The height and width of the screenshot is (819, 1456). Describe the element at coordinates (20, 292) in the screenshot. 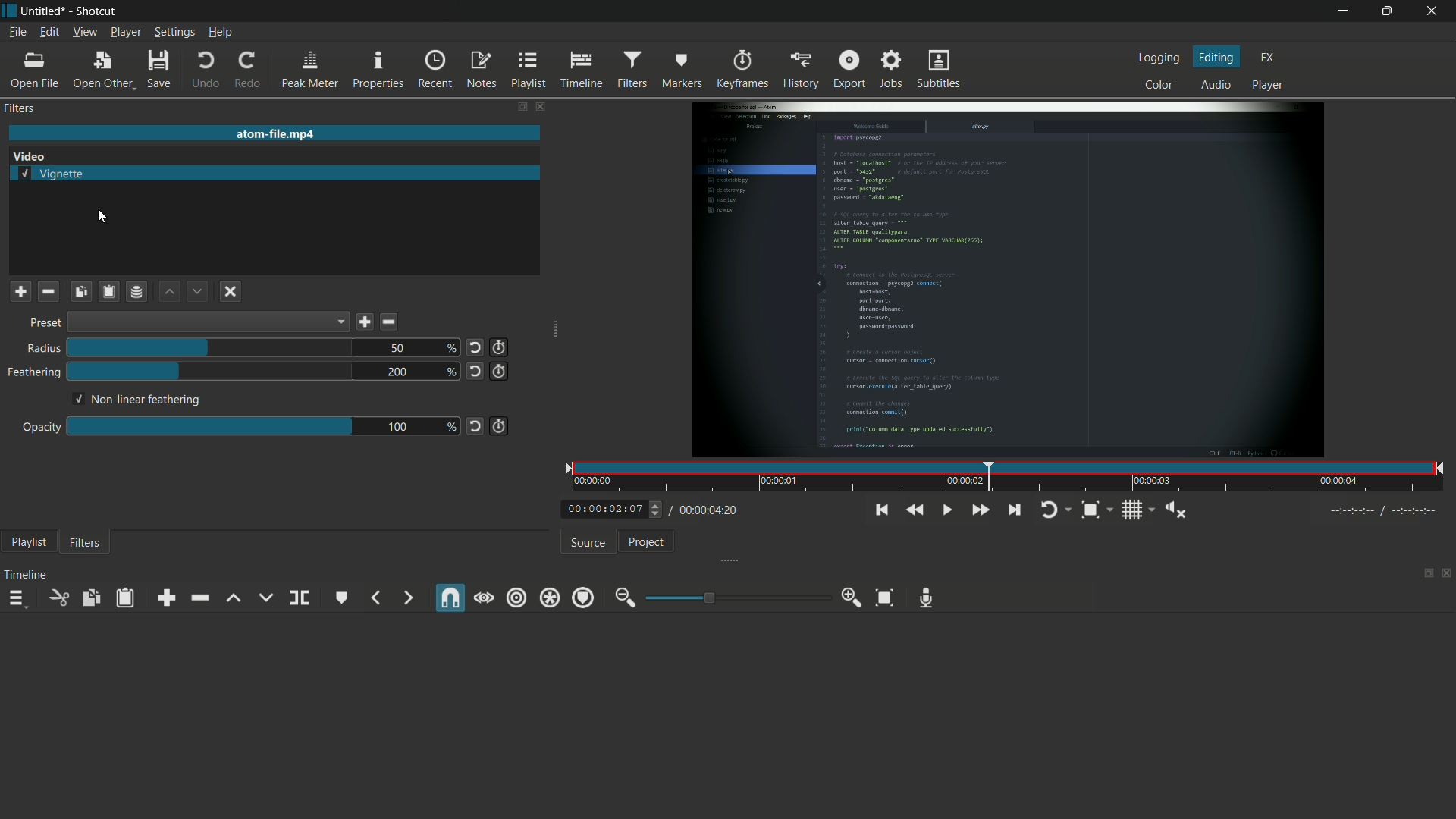

I see `add a filter` at that location.